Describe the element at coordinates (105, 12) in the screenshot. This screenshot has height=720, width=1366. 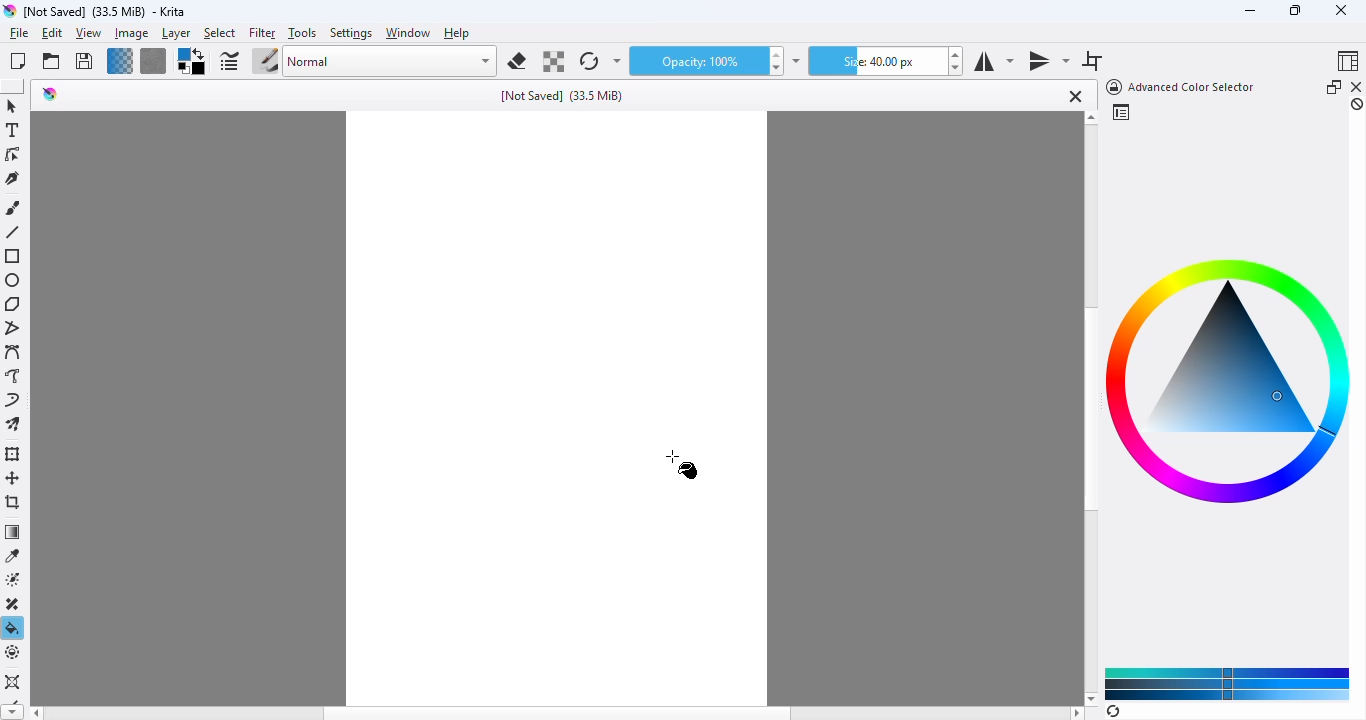
I see `title` at that location.